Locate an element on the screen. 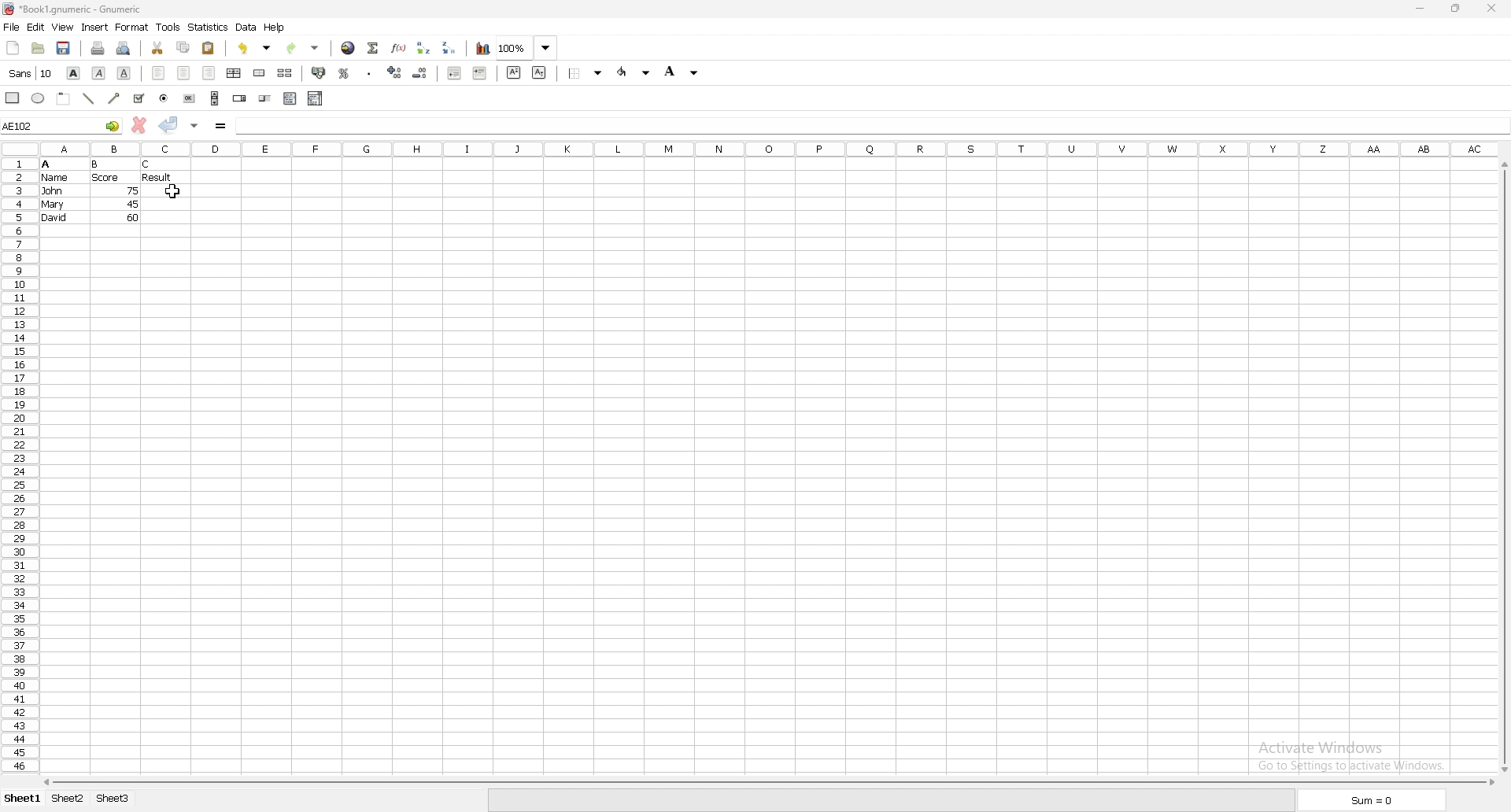 This screenshot has width=1511, height=812. subscript is located at coordinates (540, 72).